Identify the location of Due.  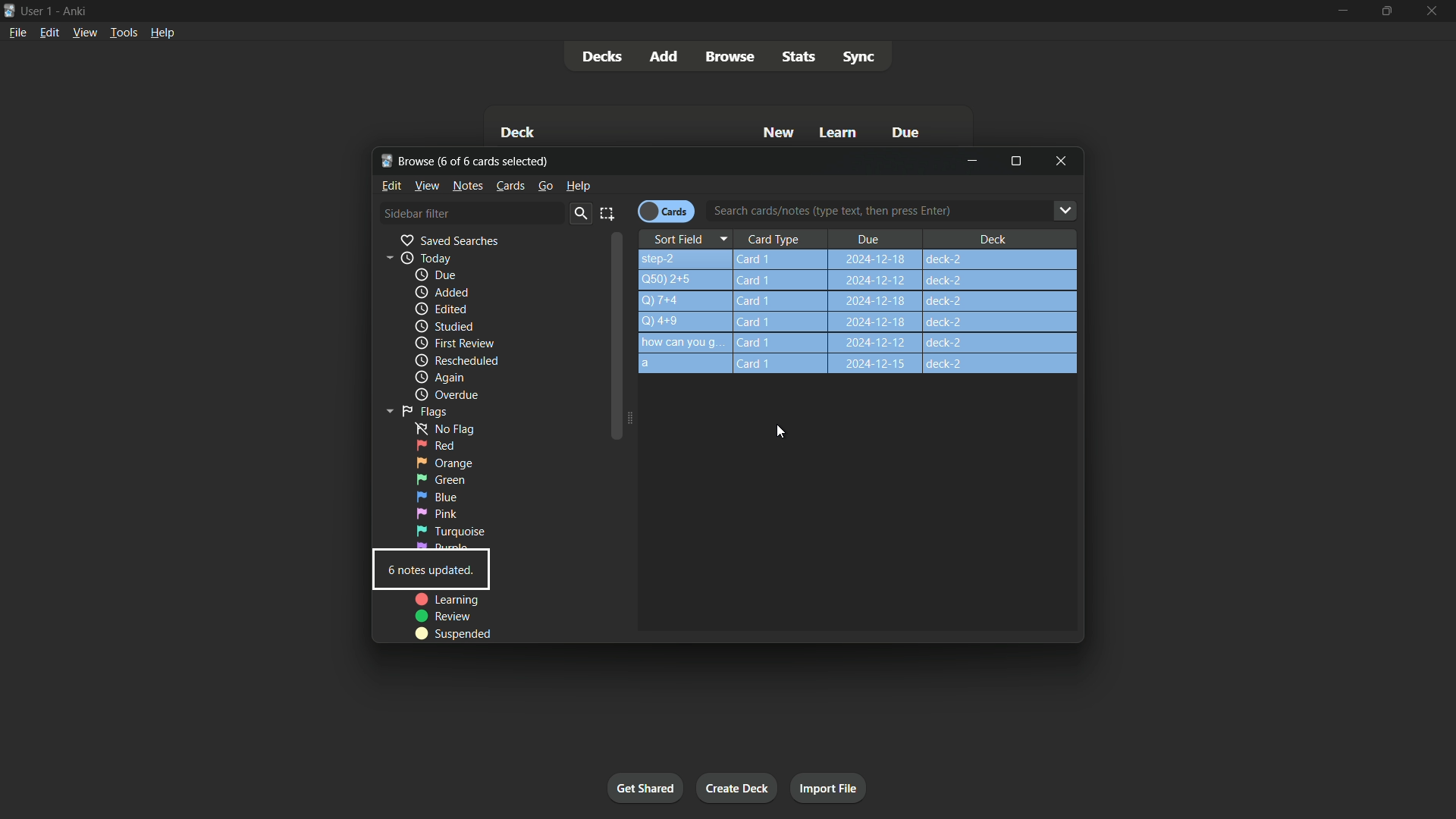
(868, 238).